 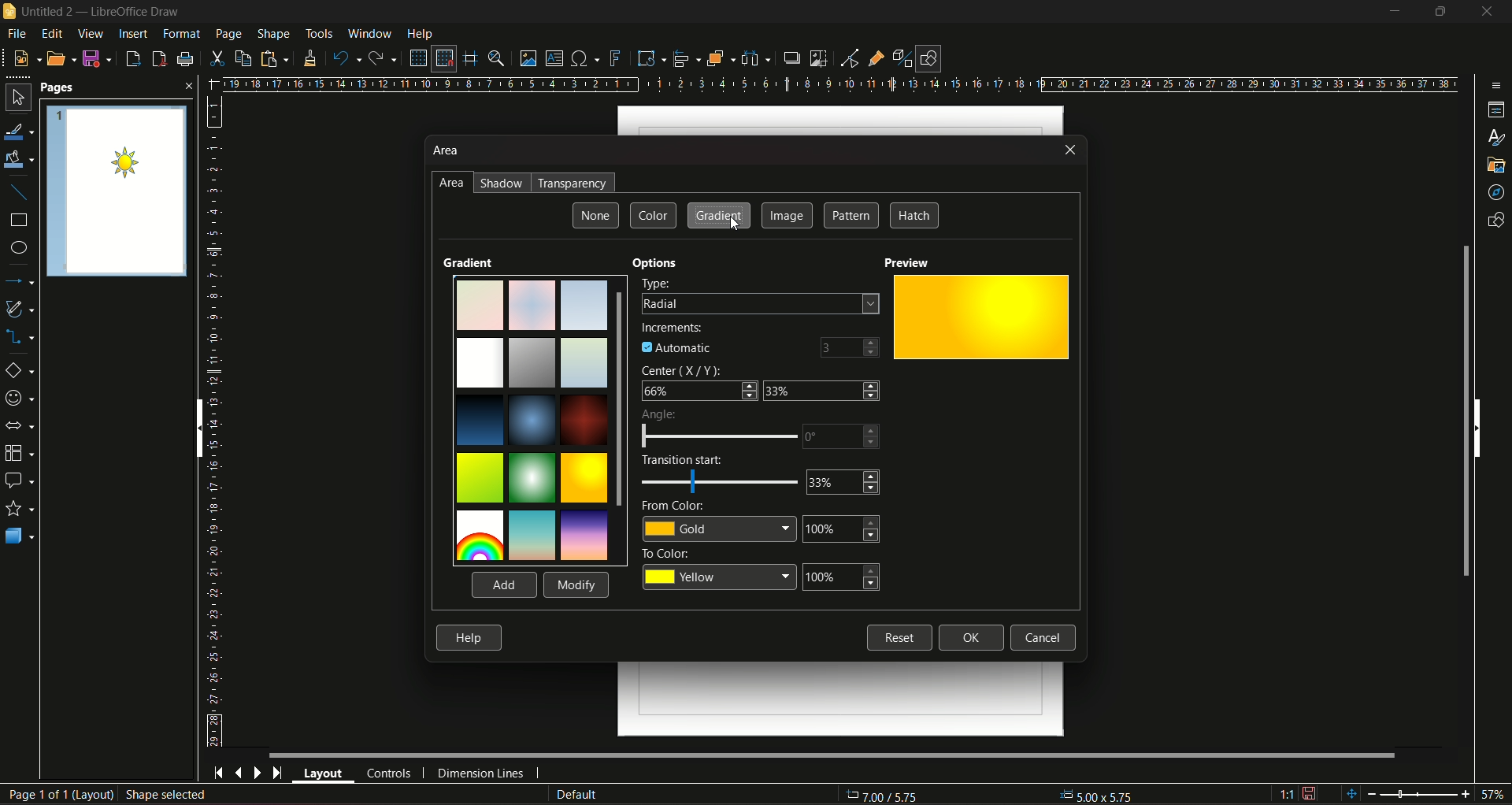 I want to click on Transition Start, so click(x=763, y=474).